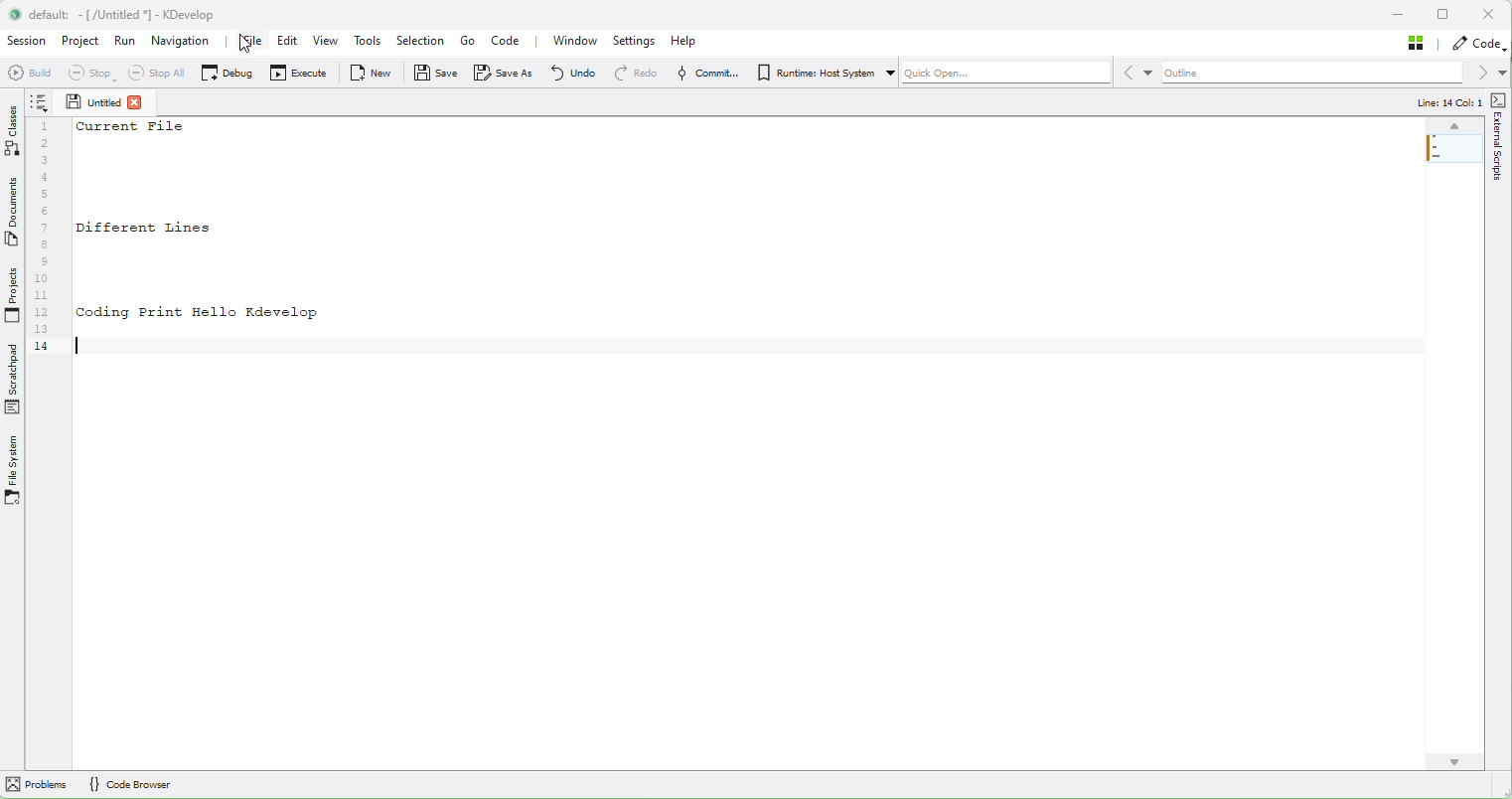 The width and height of the screenshot is (1512, 799). What do you see at coordinates (1455, 172) in the screenshot?
I see `Mini code map` at bounding box center [1455, 172].